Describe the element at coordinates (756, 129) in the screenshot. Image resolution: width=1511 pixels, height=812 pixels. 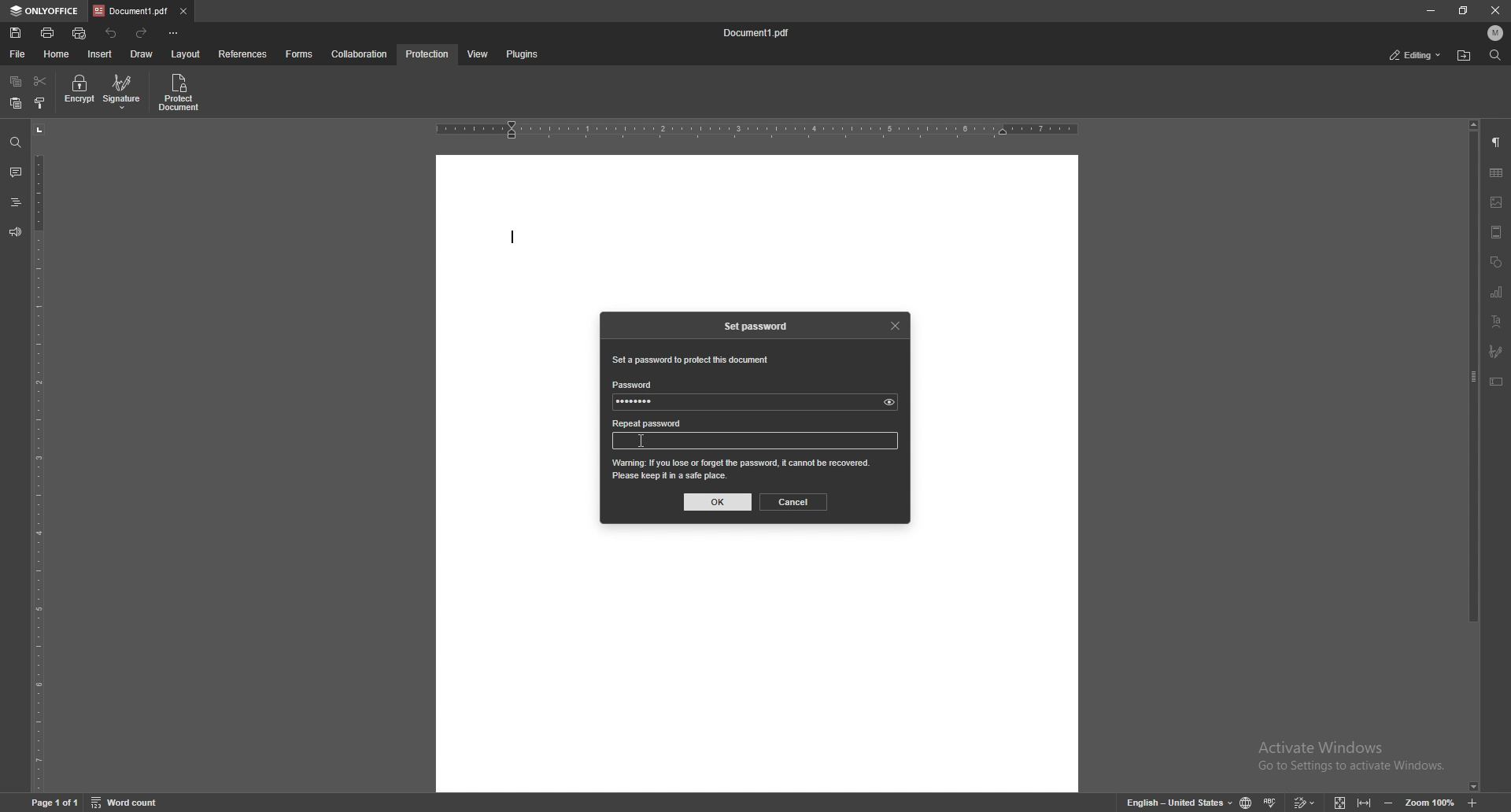
I see `horizontal scale` at that location.